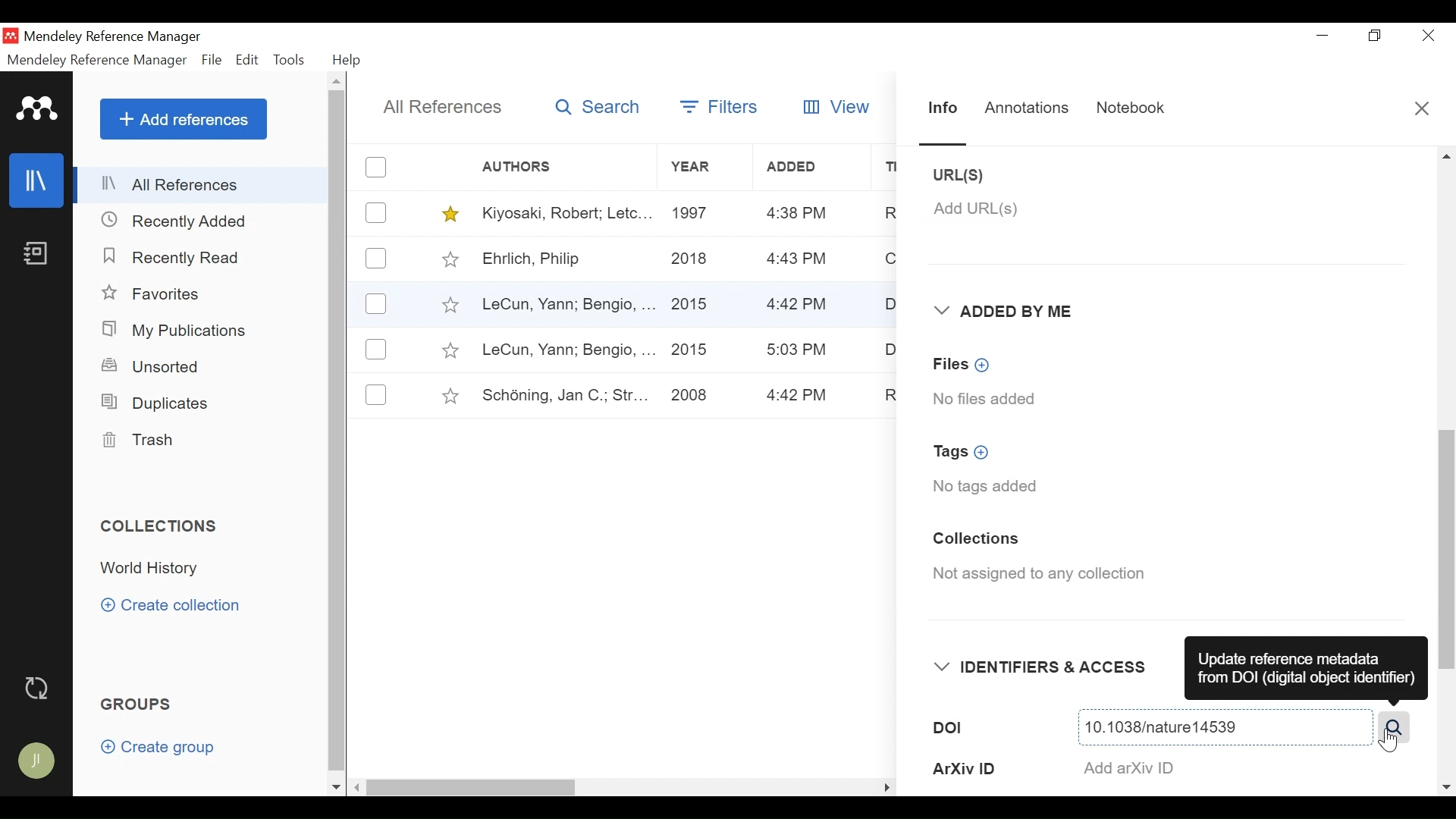 The width and height of the screenshot is (1456, 819). Describe the element at coordinates (595, 106) in the screenshot. I see `Search` at that location.